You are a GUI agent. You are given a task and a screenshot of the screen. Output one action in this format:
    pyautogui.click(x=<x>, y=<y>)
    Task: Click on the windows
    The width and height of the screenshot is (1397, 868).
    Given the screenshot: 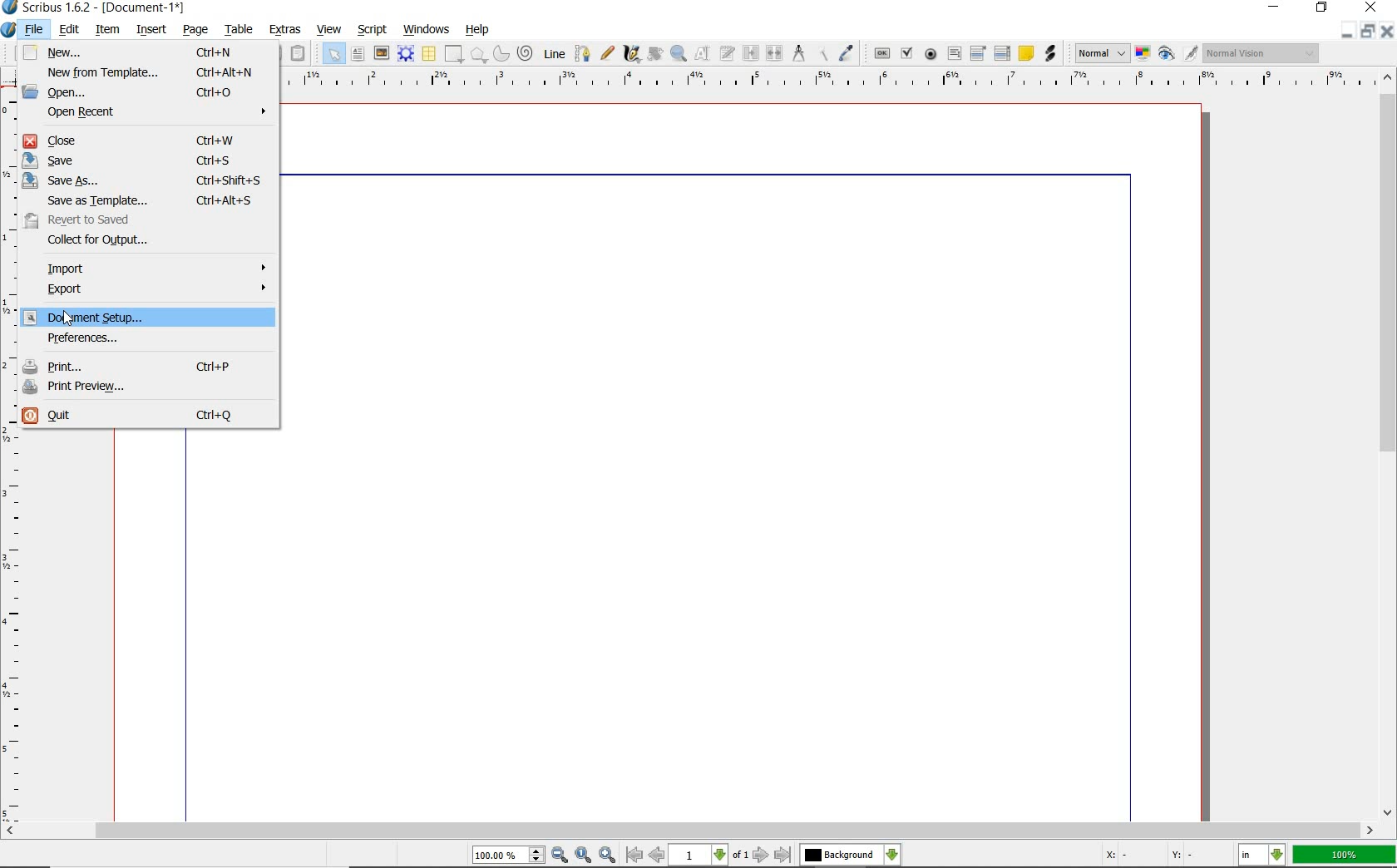 What is the action you would take?
    pyautogui.click(x=427, y=30)
    